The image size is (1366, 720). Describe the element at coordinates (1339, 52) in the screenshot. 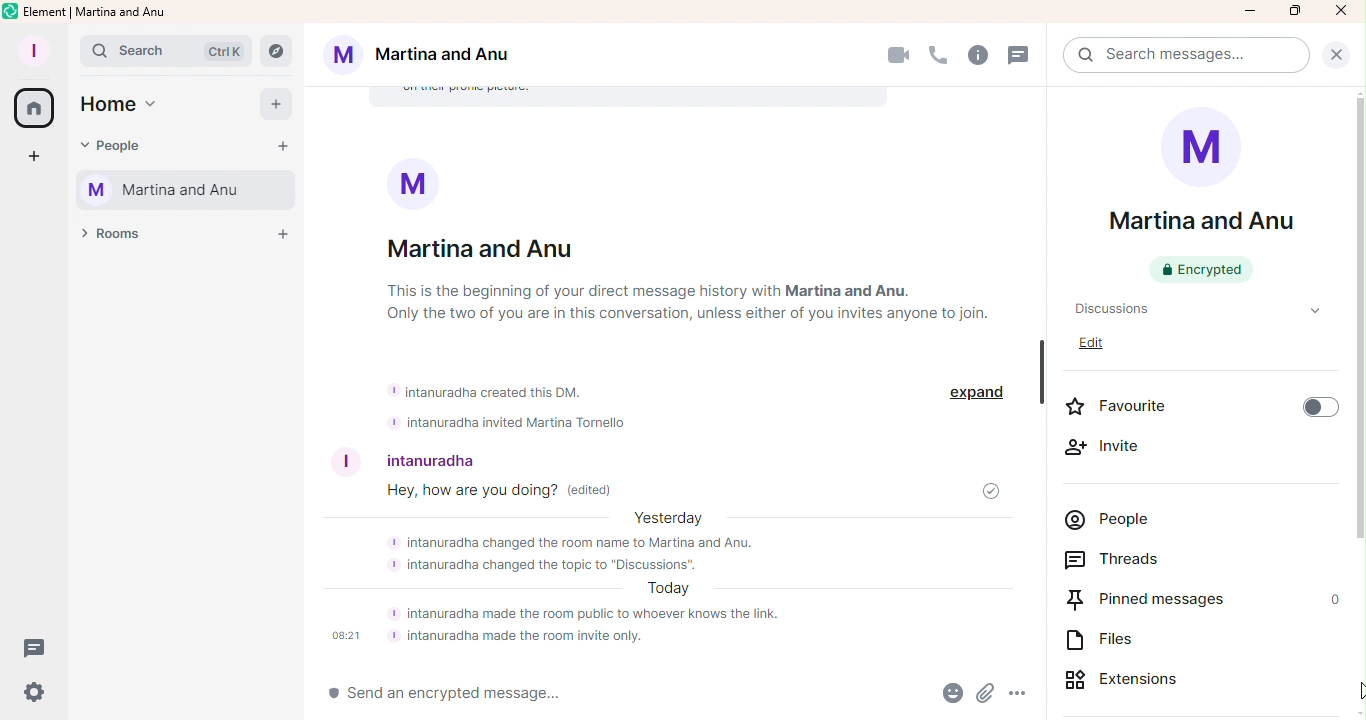

I see `Close` at that location.